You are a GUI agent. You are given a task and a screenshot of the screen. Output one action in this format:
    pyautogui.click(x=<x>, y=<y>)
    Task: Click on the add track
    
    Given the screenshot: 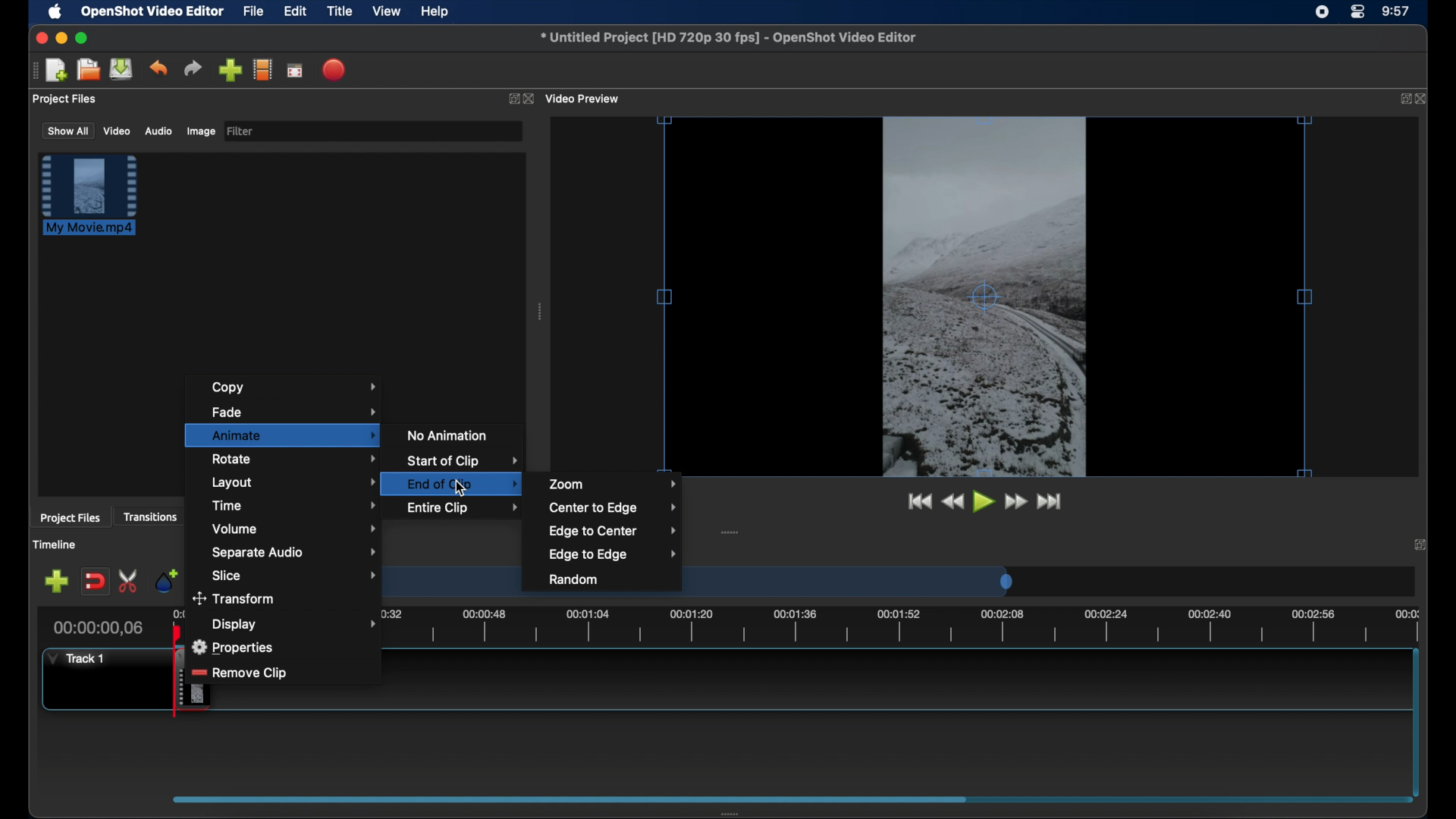 What is the action you would take?
    pyautogui.click(x=56, y=582)
    